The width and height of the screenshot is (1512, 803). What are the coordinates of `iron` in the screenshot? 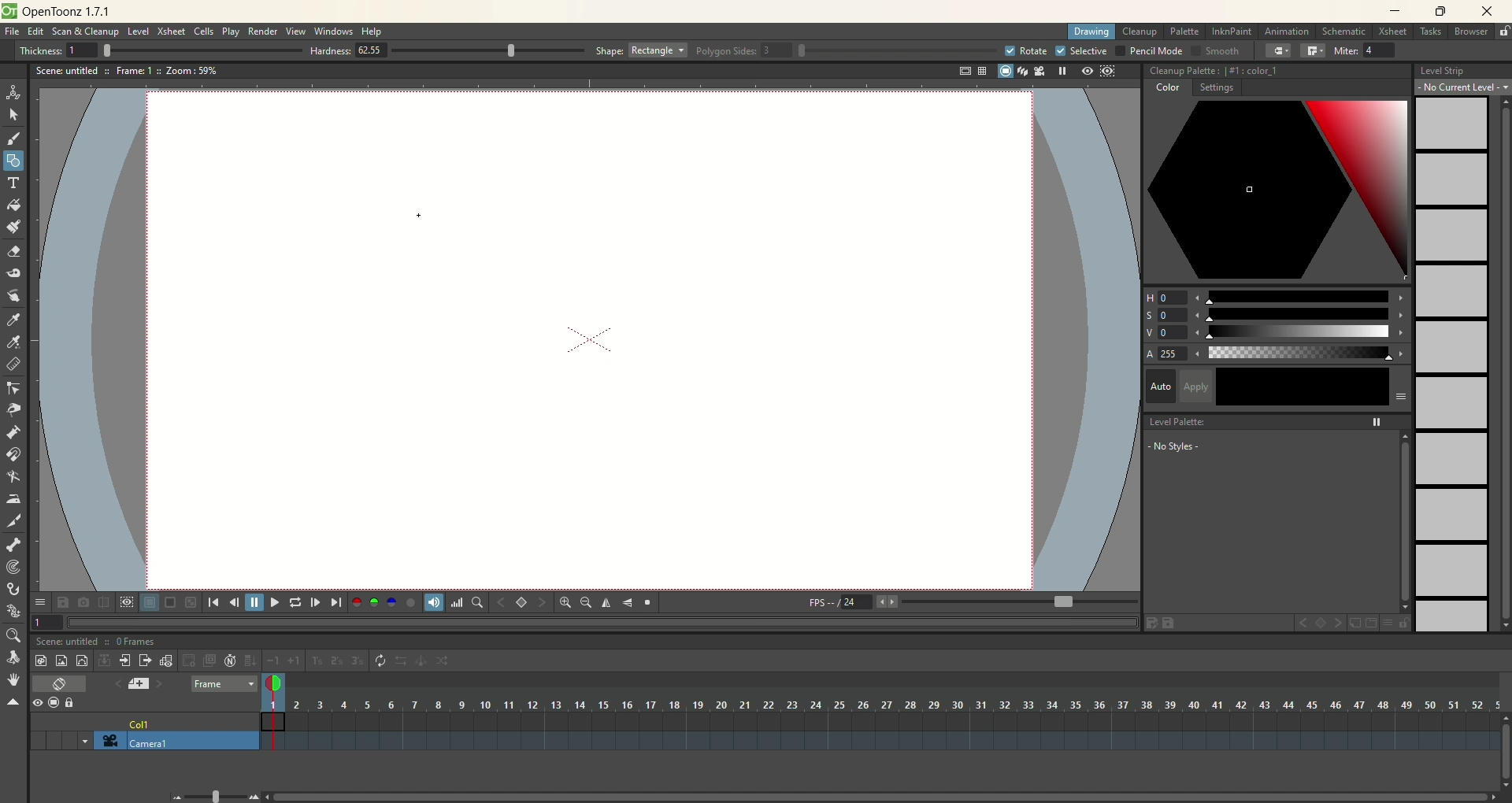 It's located at (13, 498).